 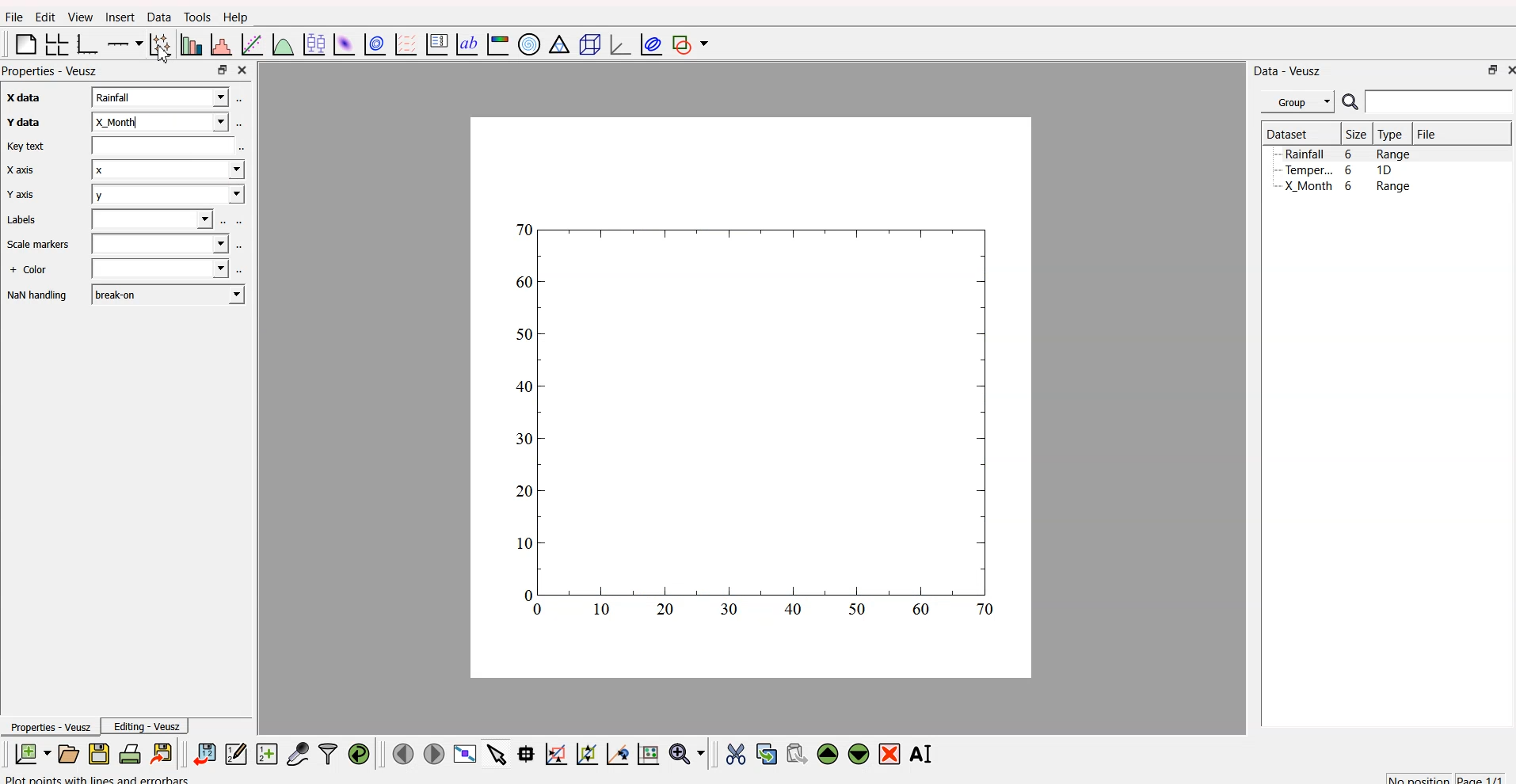 I want to click on Temper... 6 1D, so click(x=1338, y=169).